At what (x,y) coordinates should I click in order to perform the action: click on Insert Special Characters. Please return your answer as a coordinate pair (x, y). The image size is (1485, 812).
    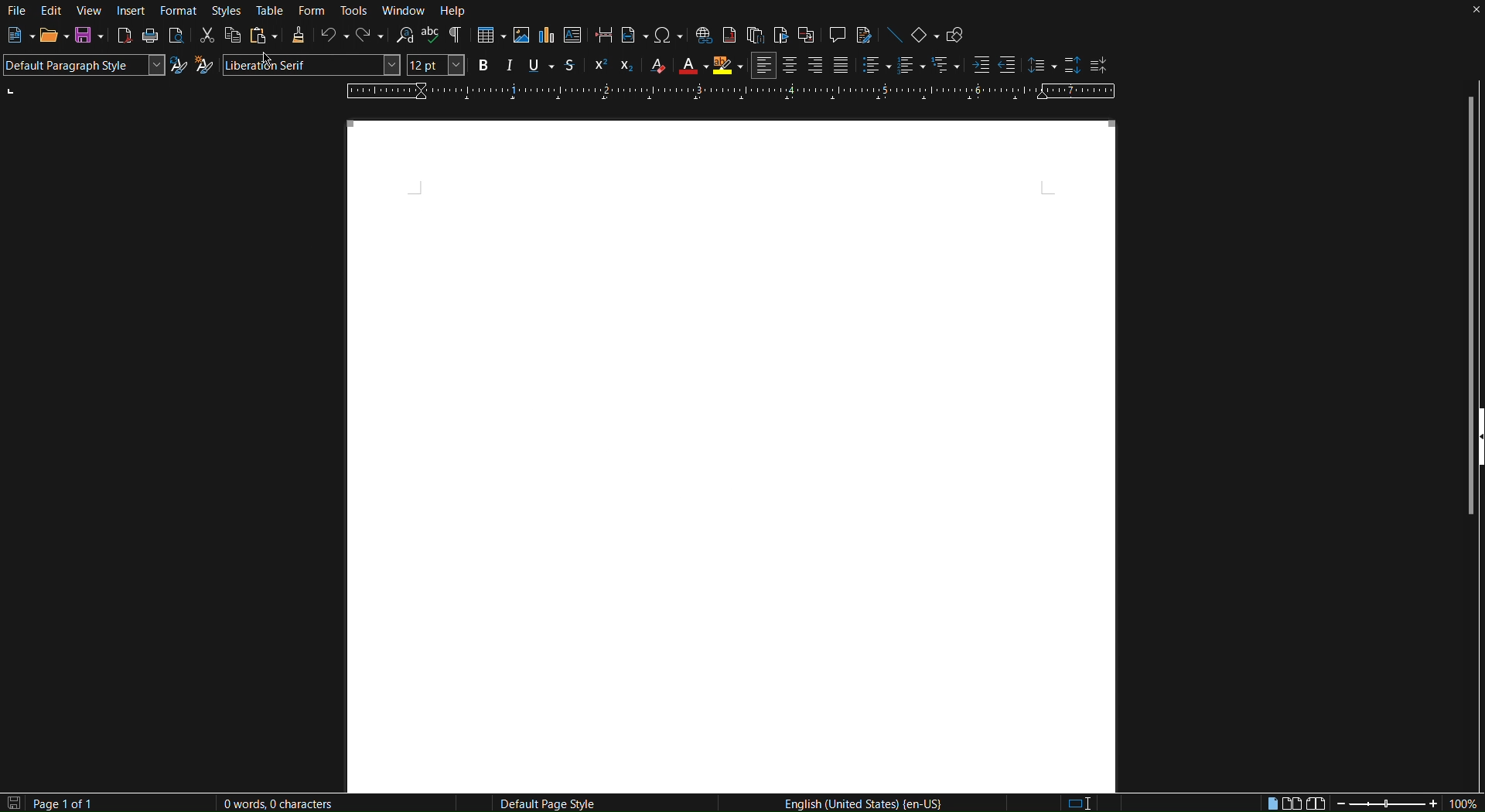
    Looking at the image, I should click on (667, 37).